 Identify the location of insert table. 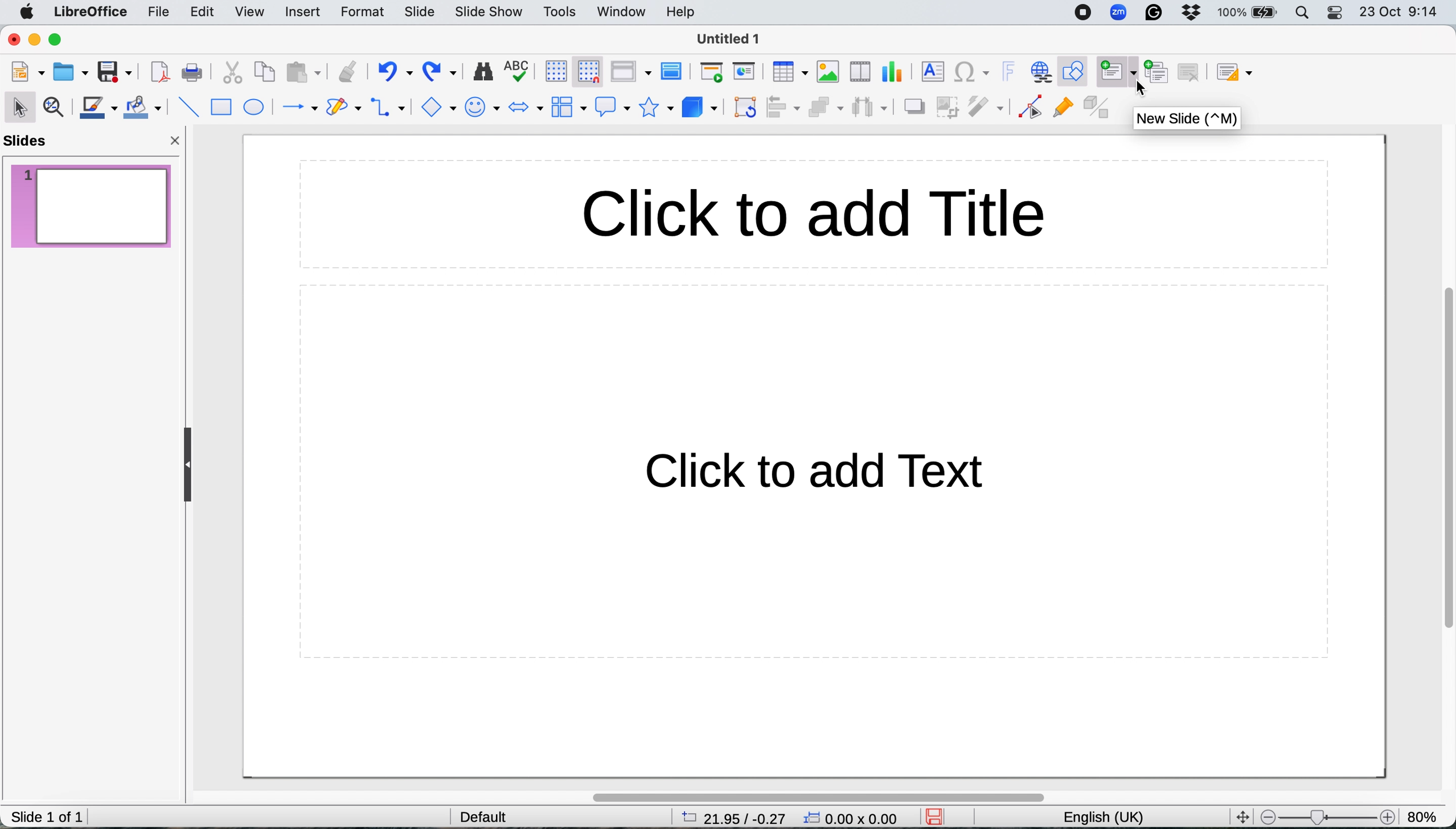
(790, 73).